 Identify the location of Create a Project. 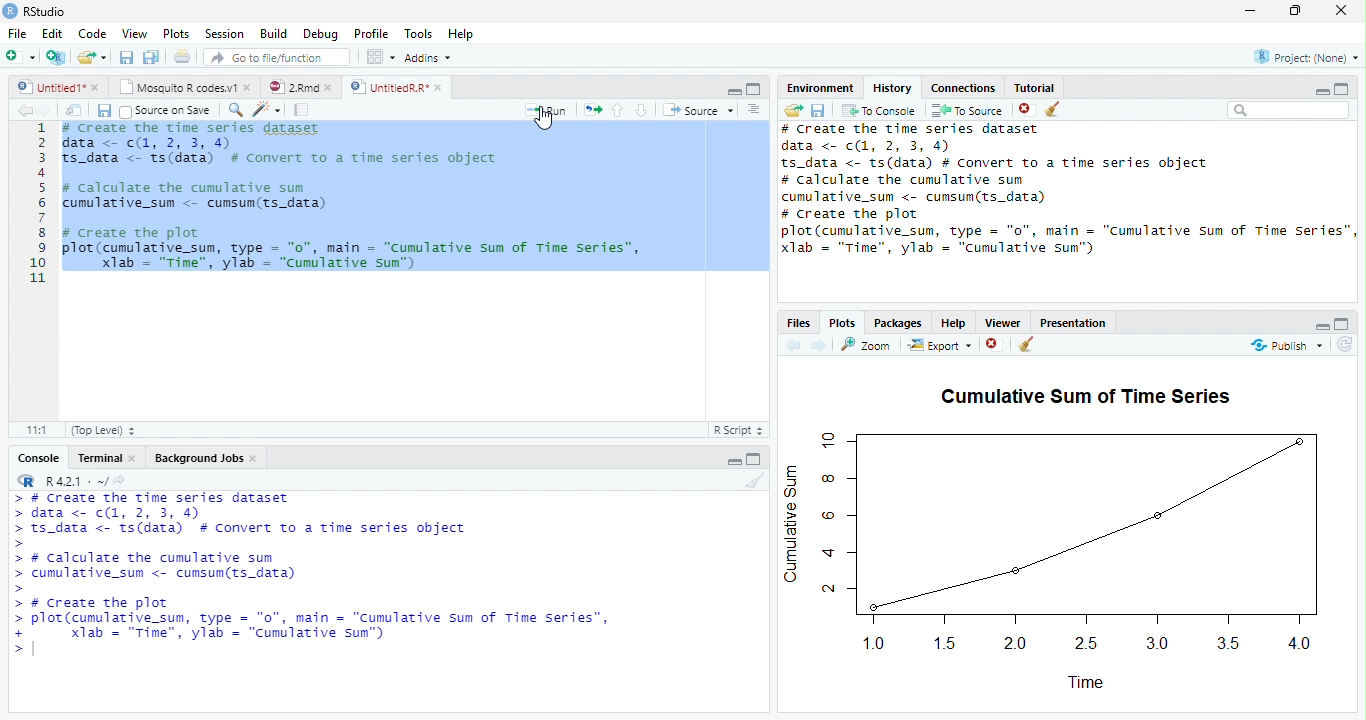
(56, 58).